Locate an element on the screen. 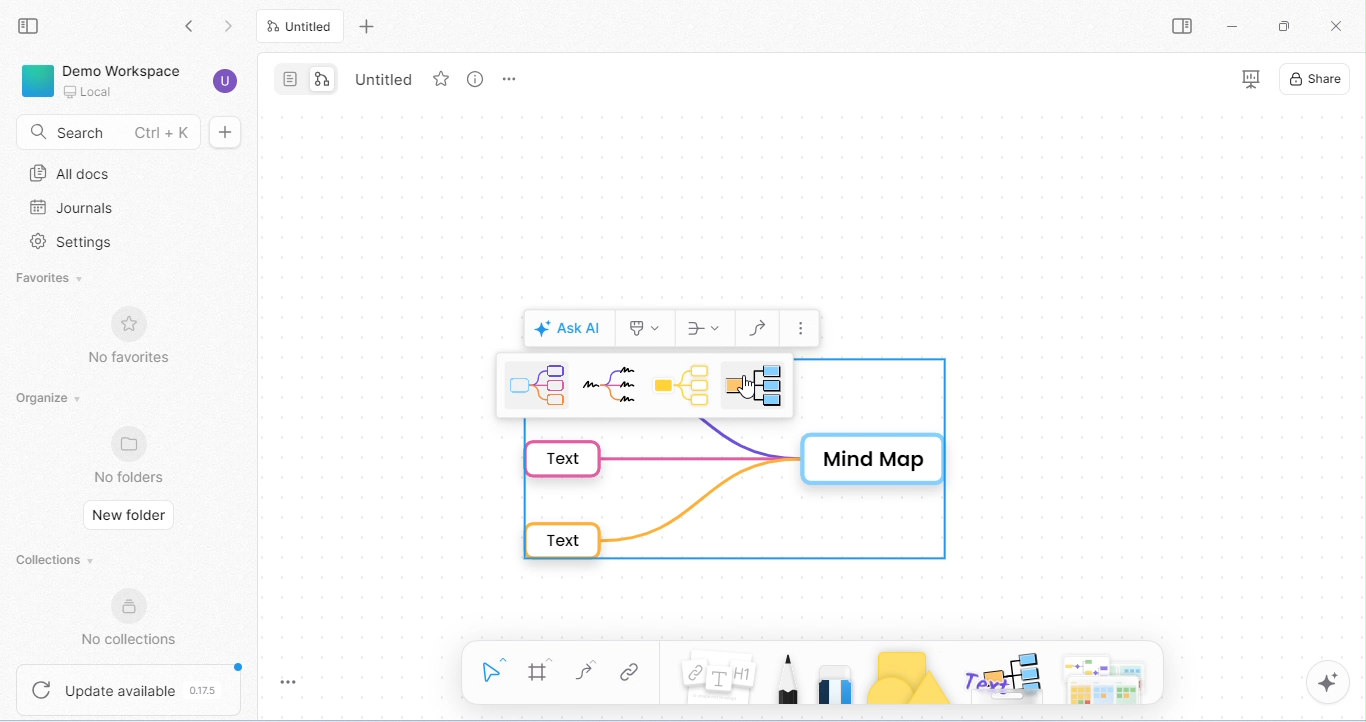 The height and width of the screenshot is (722, 1366). collections is located at coordinates (58, 556).